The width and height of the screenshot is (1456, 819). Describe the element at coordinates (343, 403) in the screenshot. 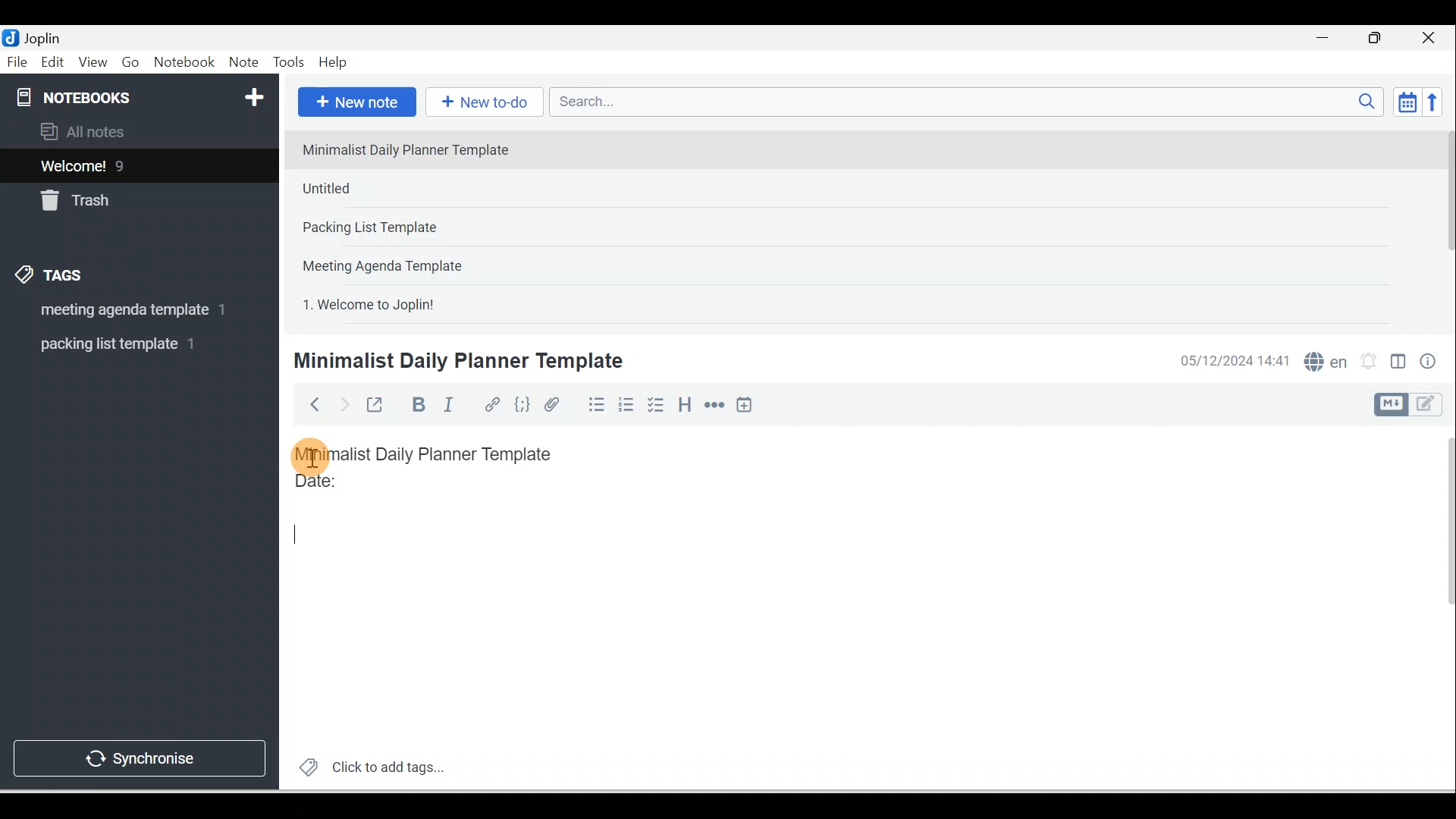

I see `Forward` at that location.